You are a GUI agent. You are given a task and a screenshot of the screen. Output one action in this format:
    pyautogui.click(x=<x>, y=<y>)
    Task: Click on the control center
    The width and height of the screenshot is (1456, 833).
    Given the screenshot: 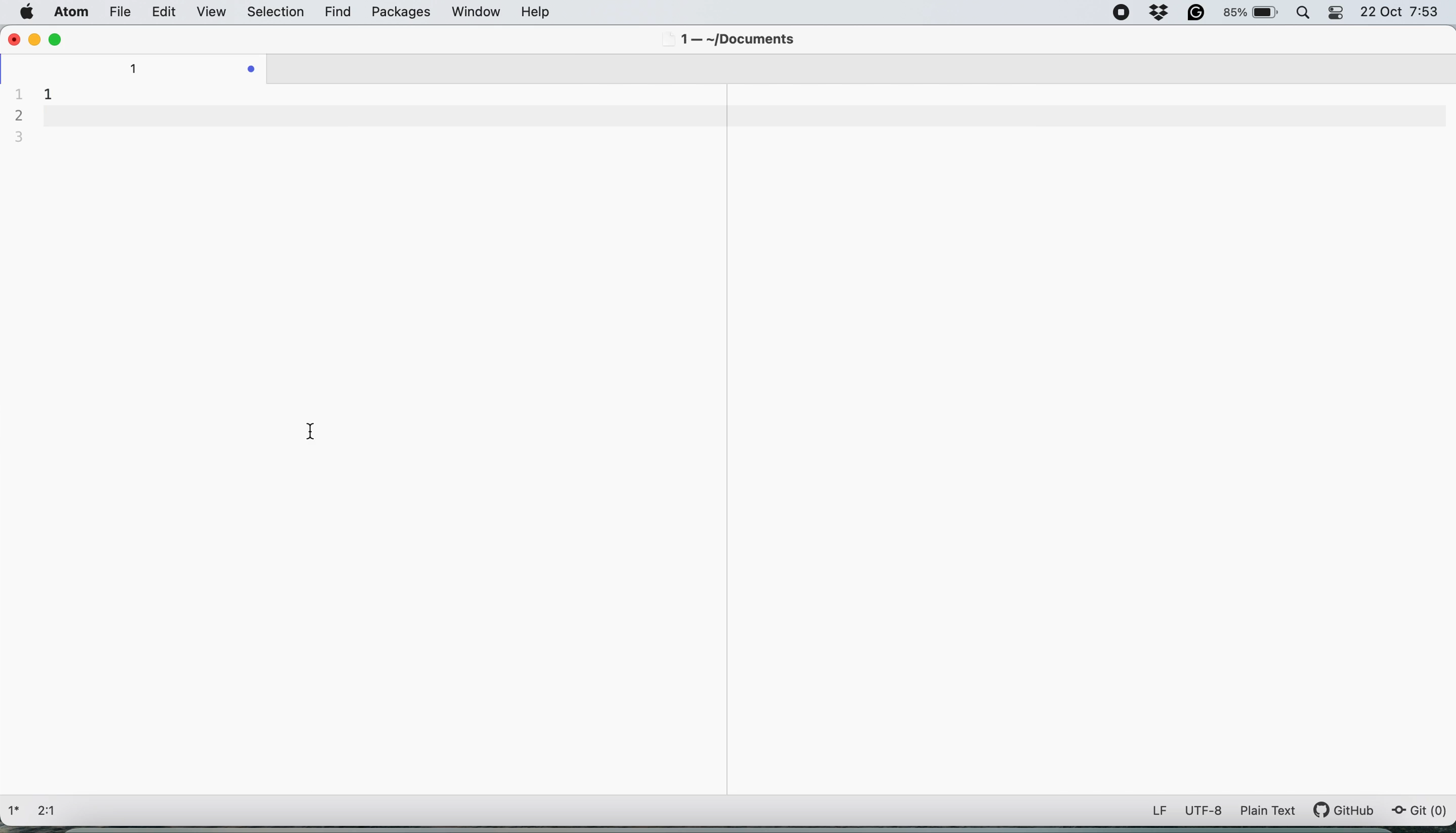 What is the action you would take?
    pyautogui.click(x=1339, y=14)
    